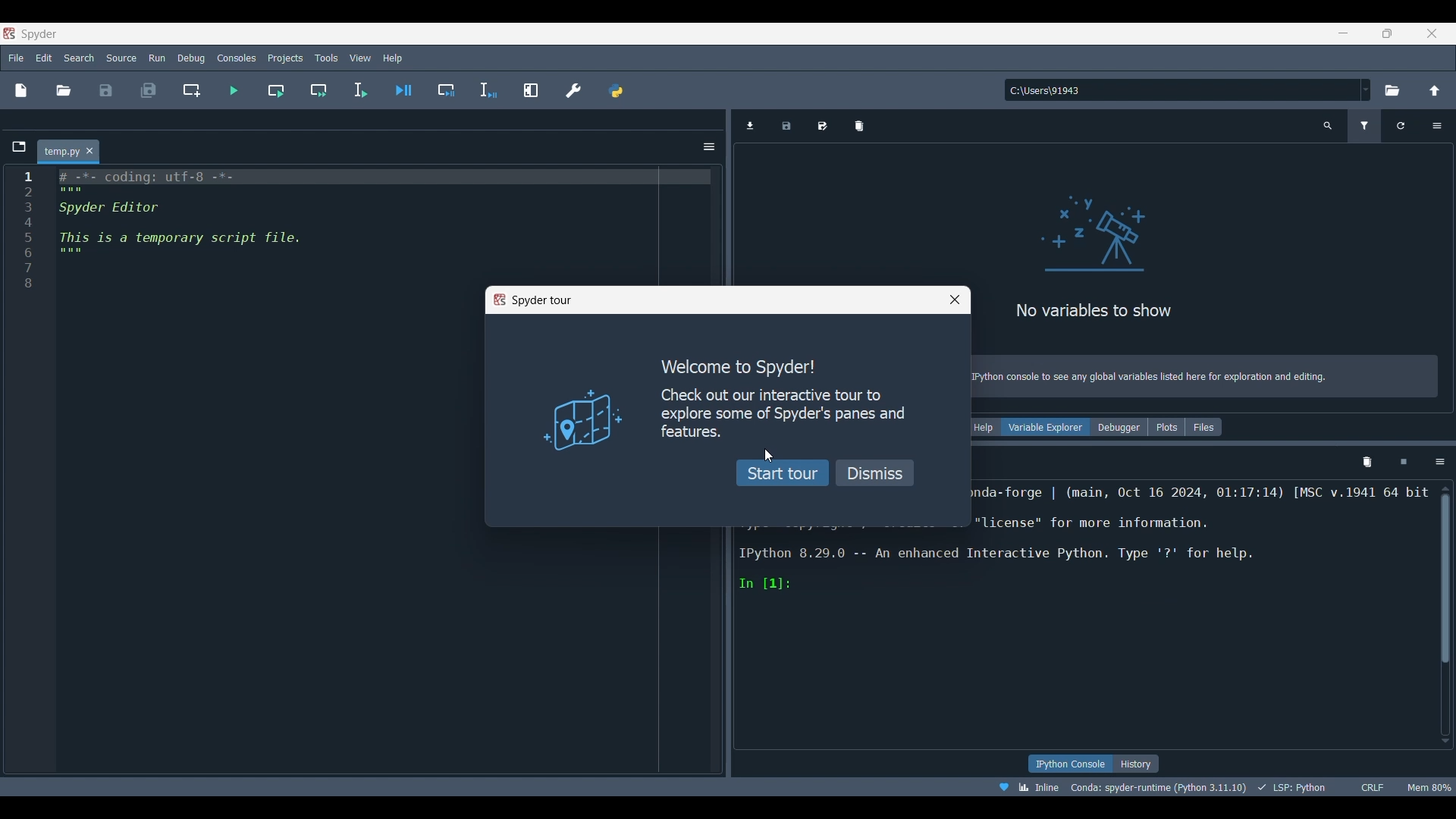 The image size is (1456, 819). What do you see at coordinates (783, 475) in the screenshot?
I see `start tutor` at bounding box center [783, 475].